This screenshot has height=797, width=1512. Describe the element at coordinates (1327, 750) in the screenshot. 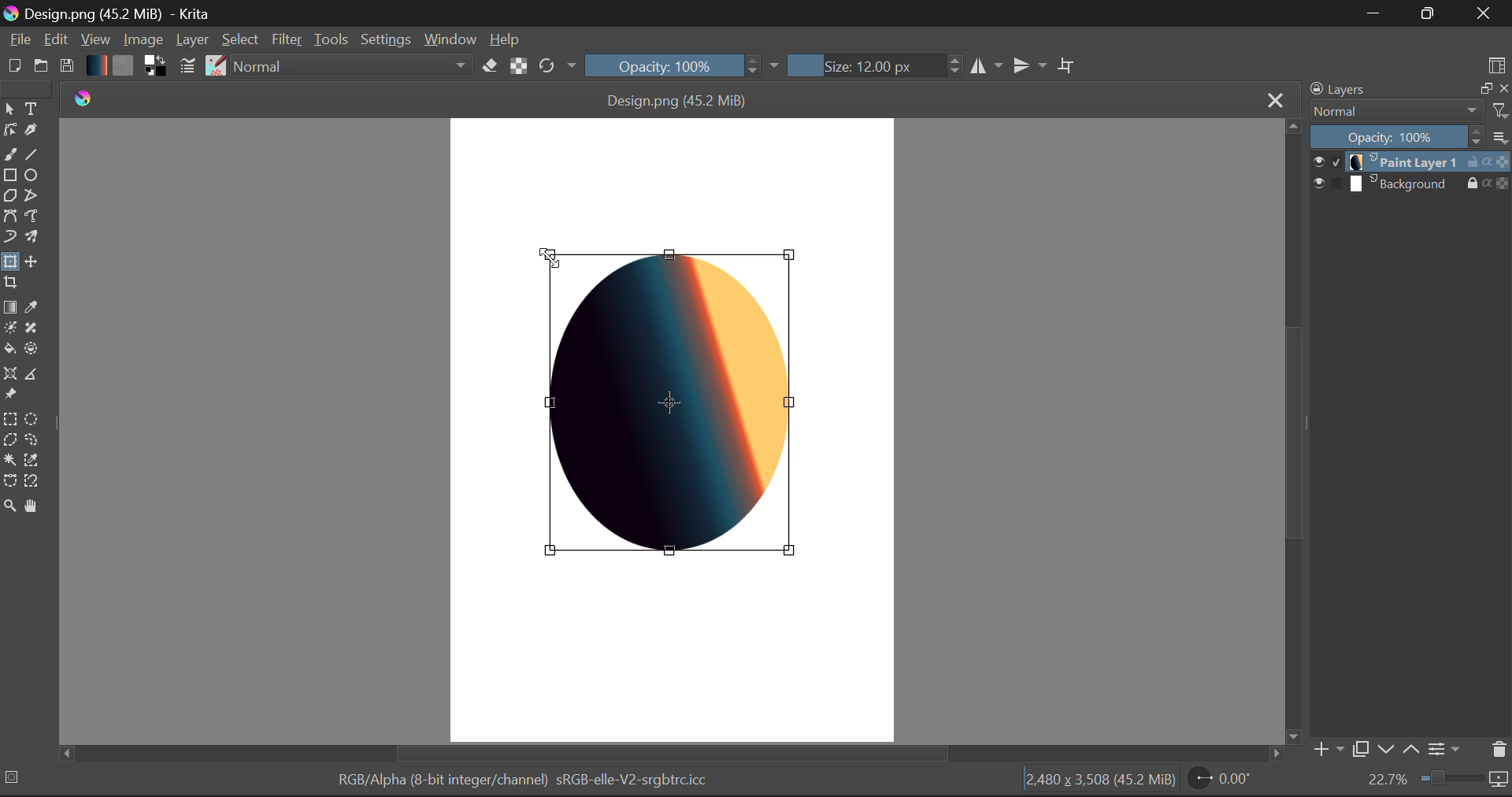

I see `Add Layer` at that location.